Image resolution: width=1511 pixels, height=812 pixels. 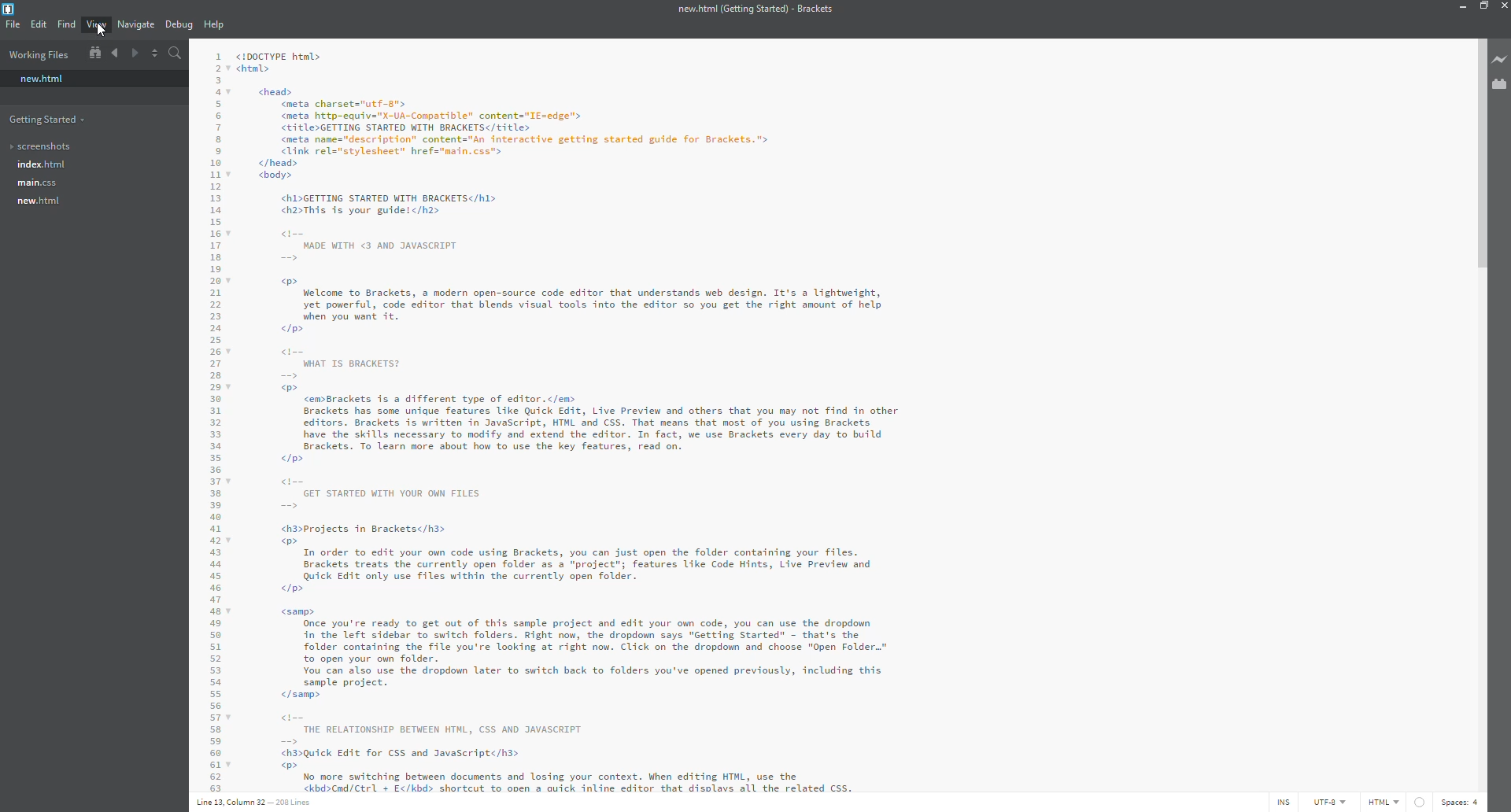 I want to click on back, so click(x=114, y=54).